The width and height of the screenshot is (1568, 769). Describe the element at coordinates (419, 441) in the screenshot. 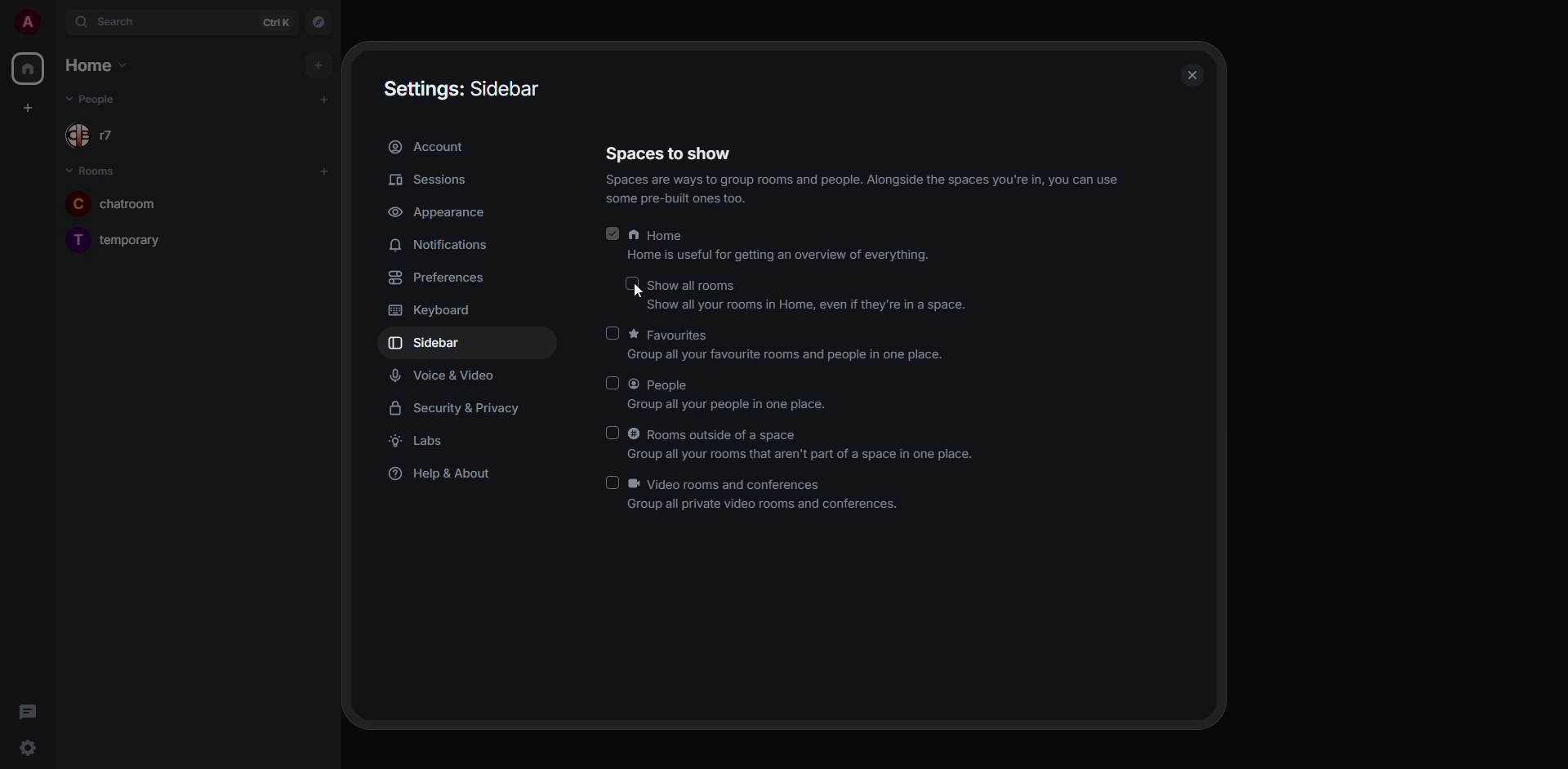

I see `labs` at that location.